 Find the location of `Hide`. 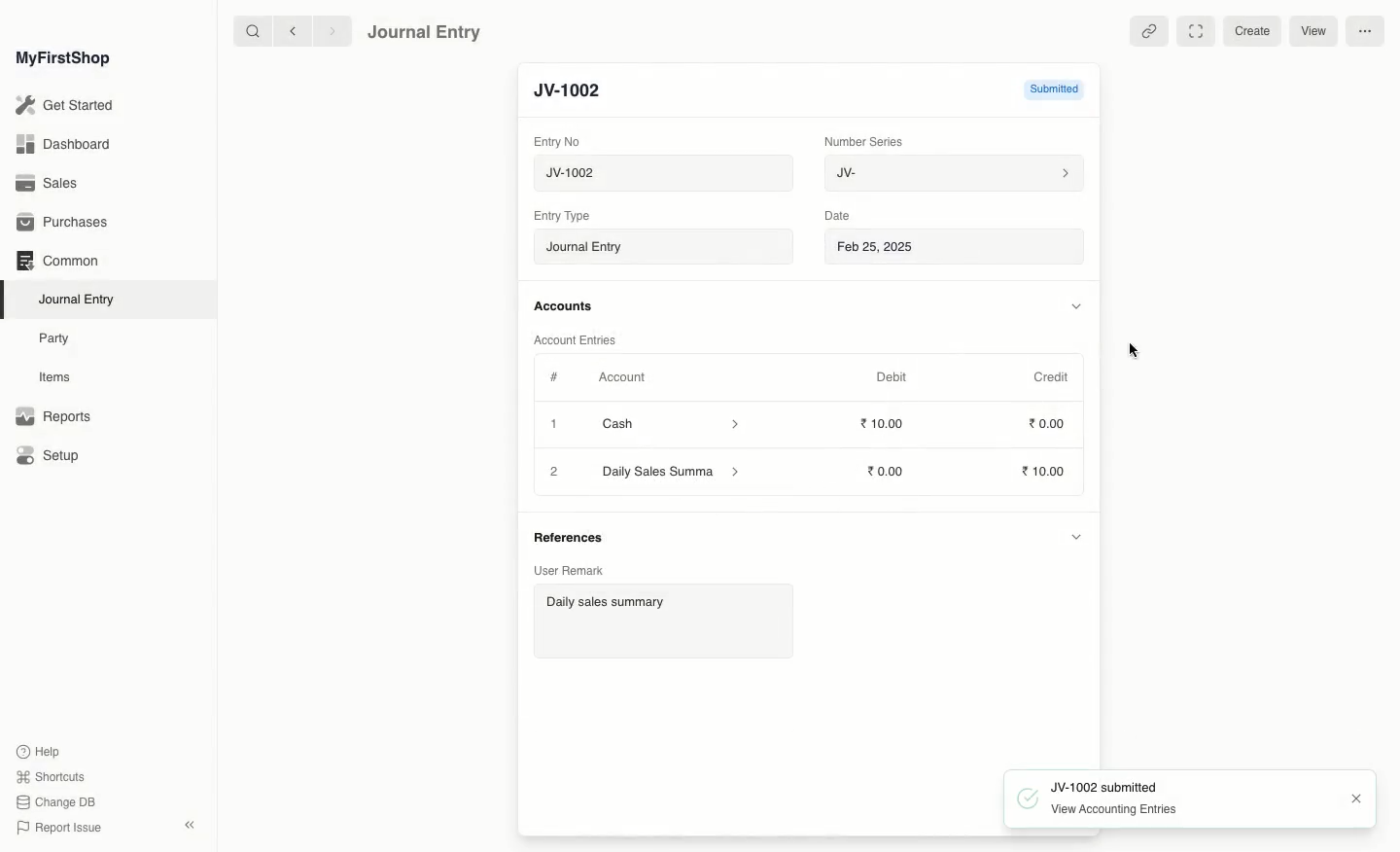

Hide is located at coordinates (1074, 540).